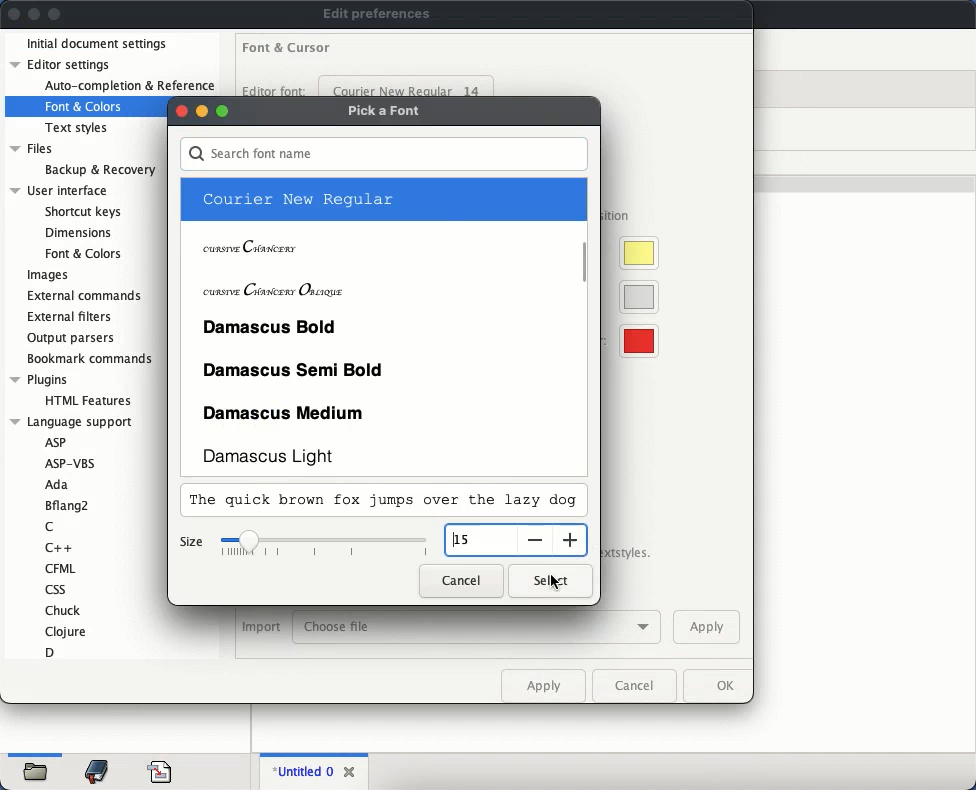  What do you see at coordinates (634, 686) in the screenshot?
I see `cancel` at bounding box center [634, 686].